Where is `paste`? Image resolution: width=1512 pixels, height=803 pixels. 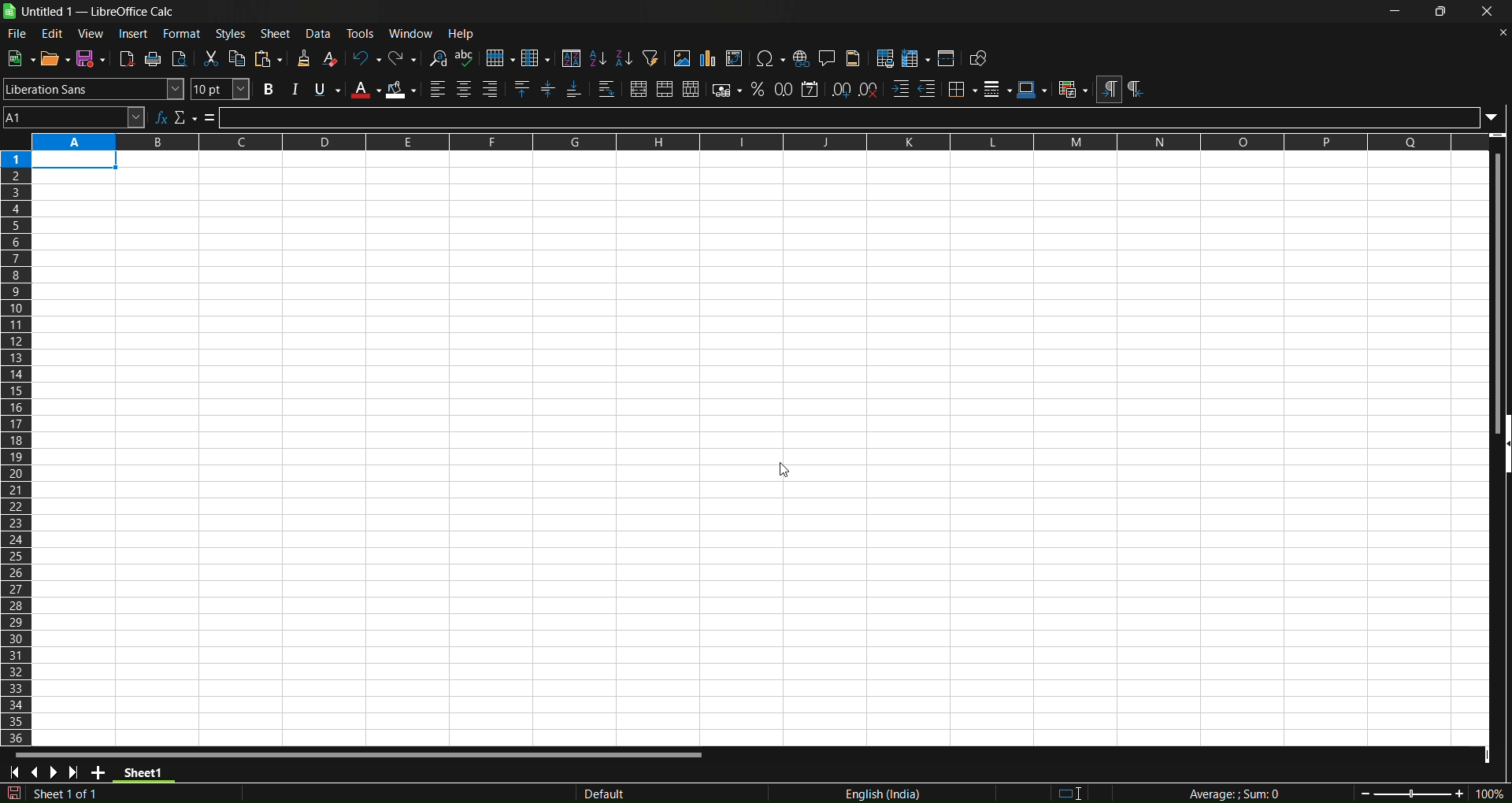 paste is located at coordinates (271, 59).